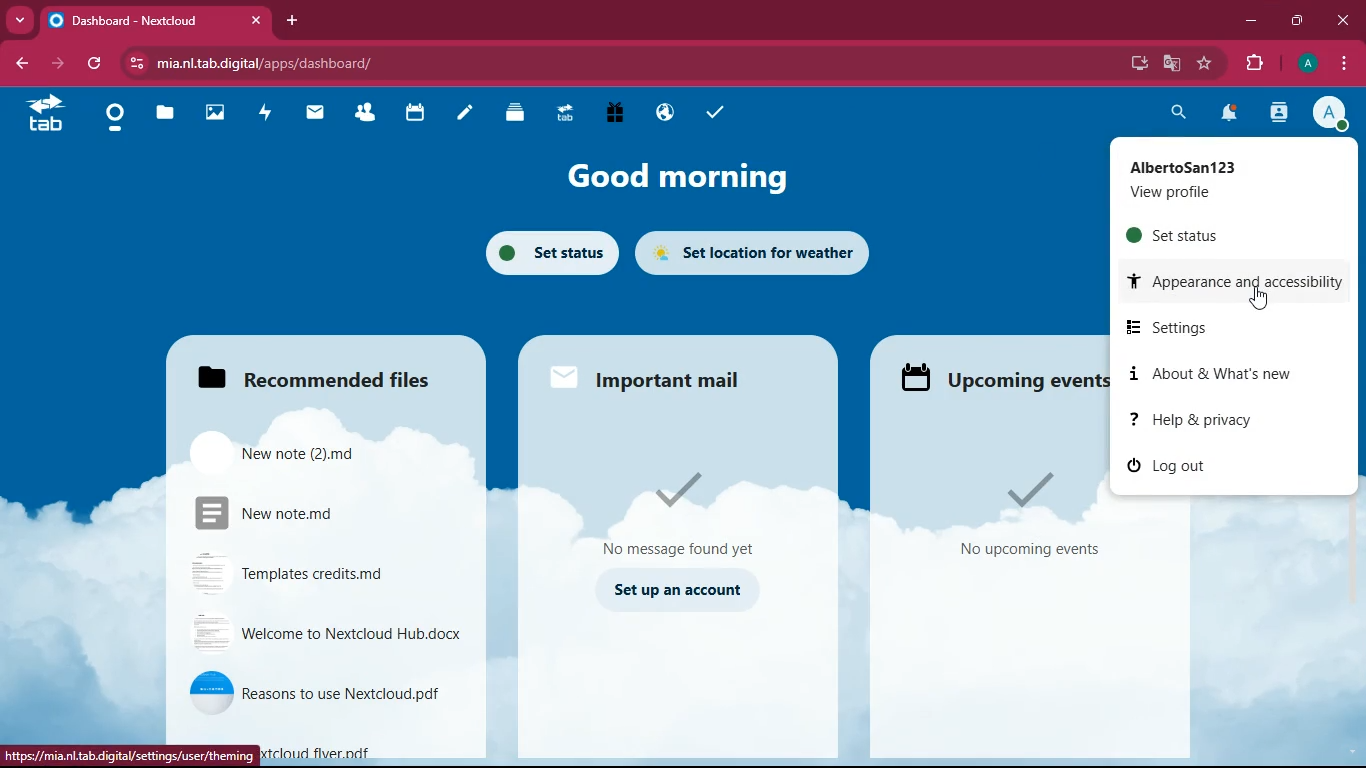  Describe the element at coordinates (412, 115) in the screenshot. I see `calendar` at that location.